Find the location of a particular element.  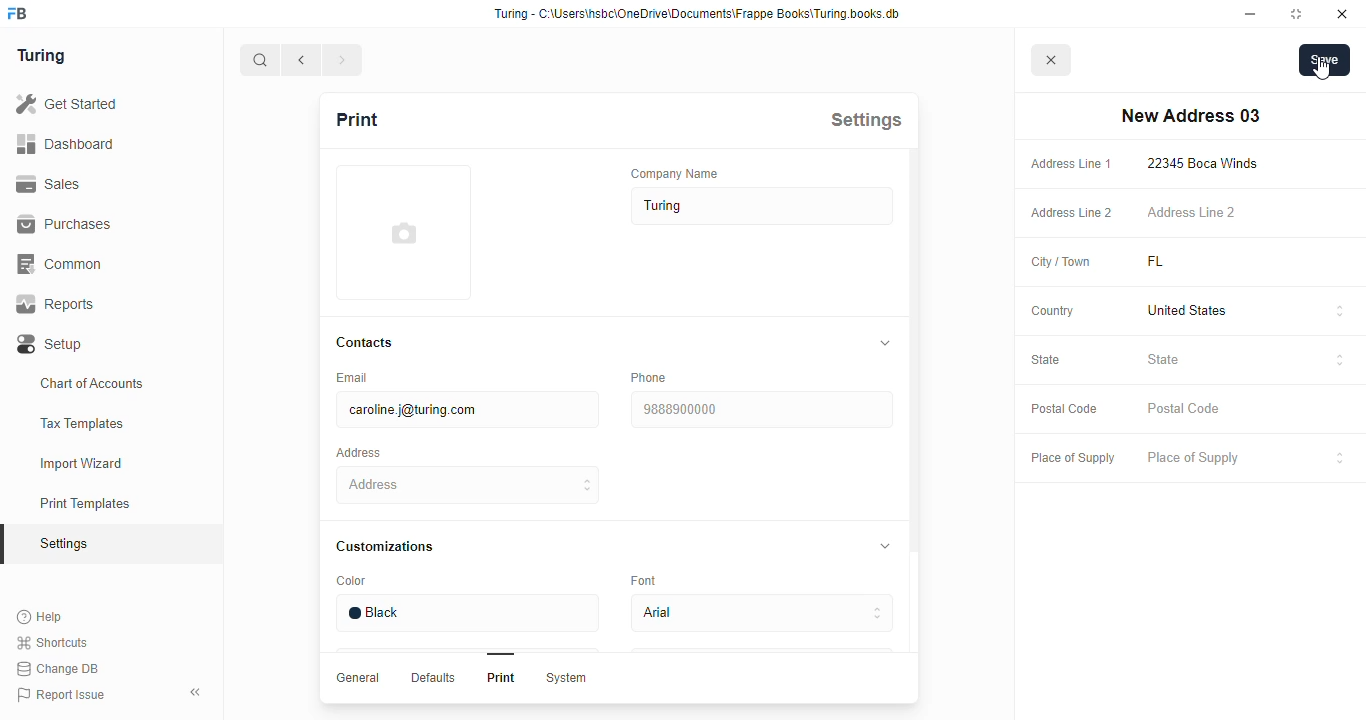

toggle expand/collapse is located at coordinates (881, 544).